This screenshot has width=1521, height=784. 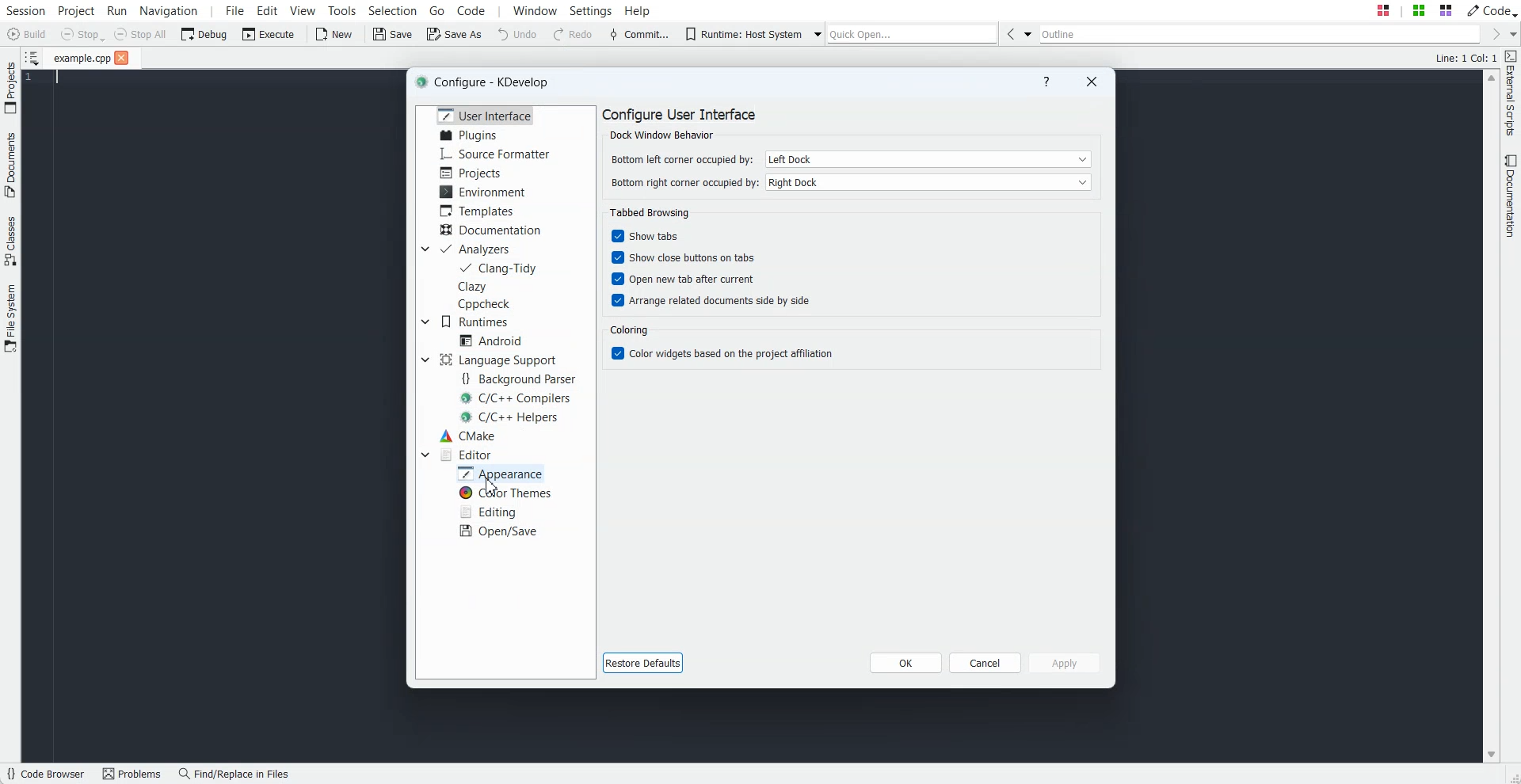 What do you see at coordinates (122, 57) in the screenshot?
I see `Close` at bounding box center [122, 57].